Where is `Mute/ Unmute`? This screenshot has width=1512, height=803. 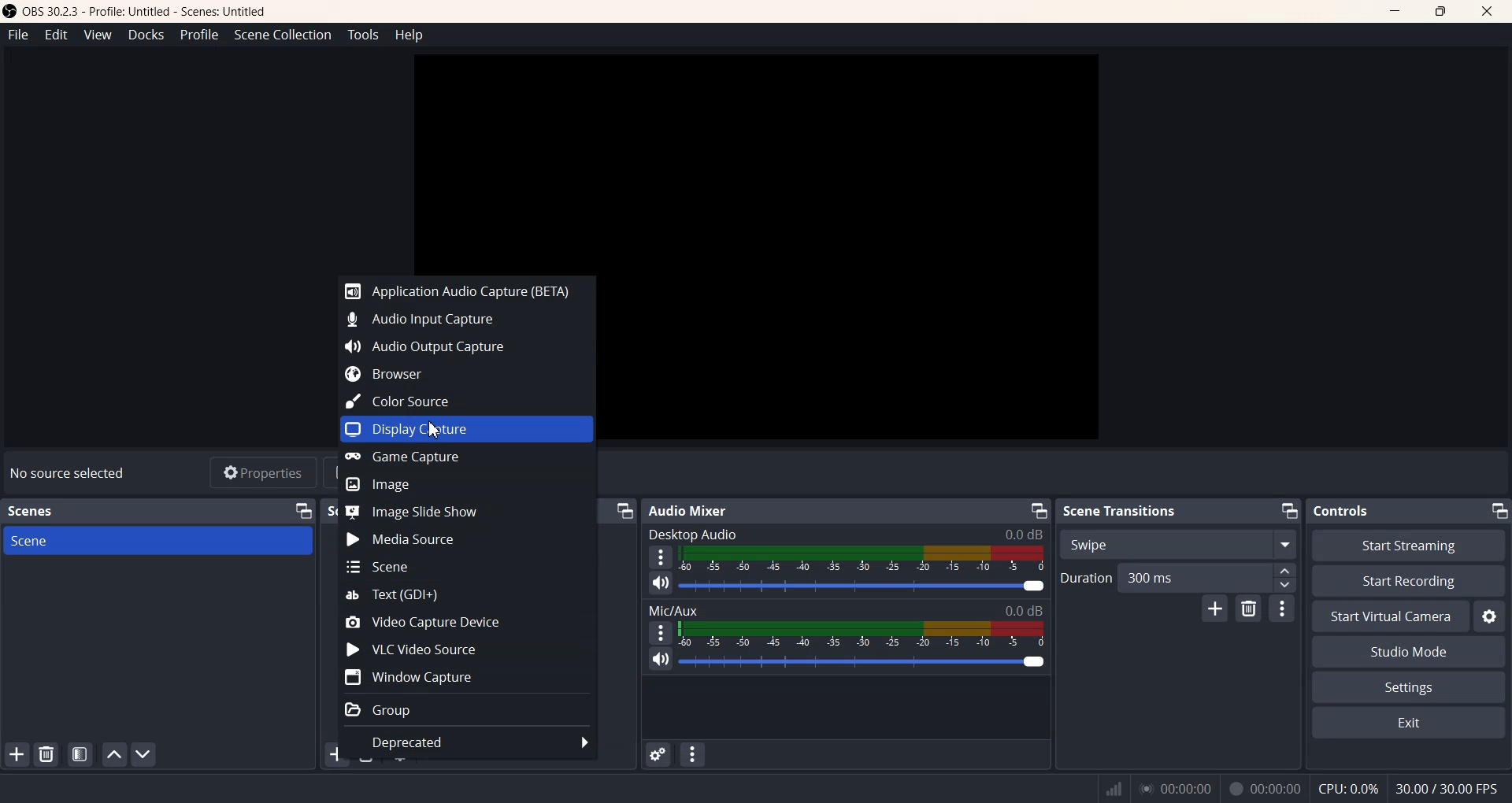
Mute/ Unmute is located at coordinates (660, 583).